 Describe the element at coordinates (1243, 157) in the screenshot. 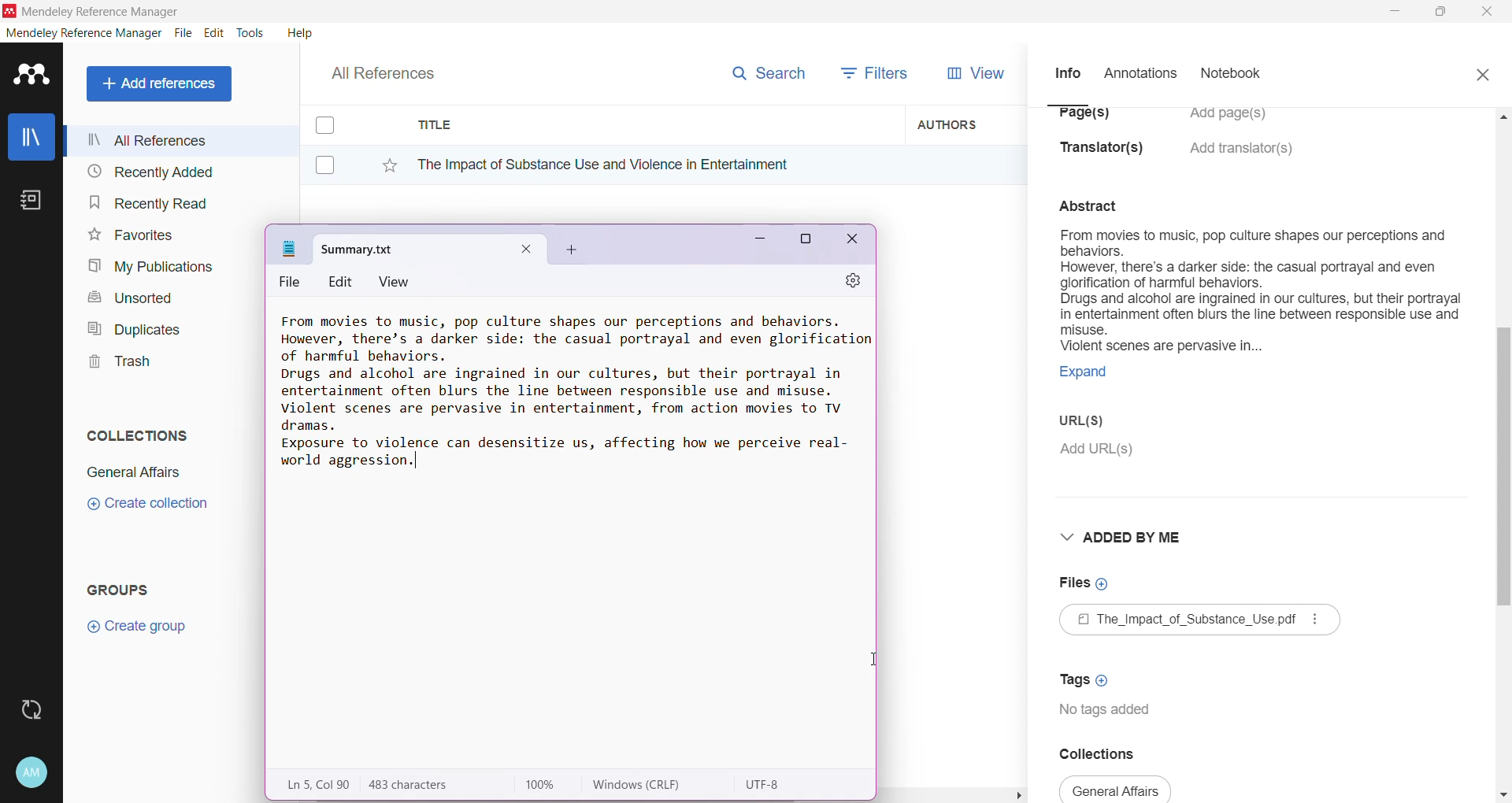

I see `Click to Add translators` at that location.